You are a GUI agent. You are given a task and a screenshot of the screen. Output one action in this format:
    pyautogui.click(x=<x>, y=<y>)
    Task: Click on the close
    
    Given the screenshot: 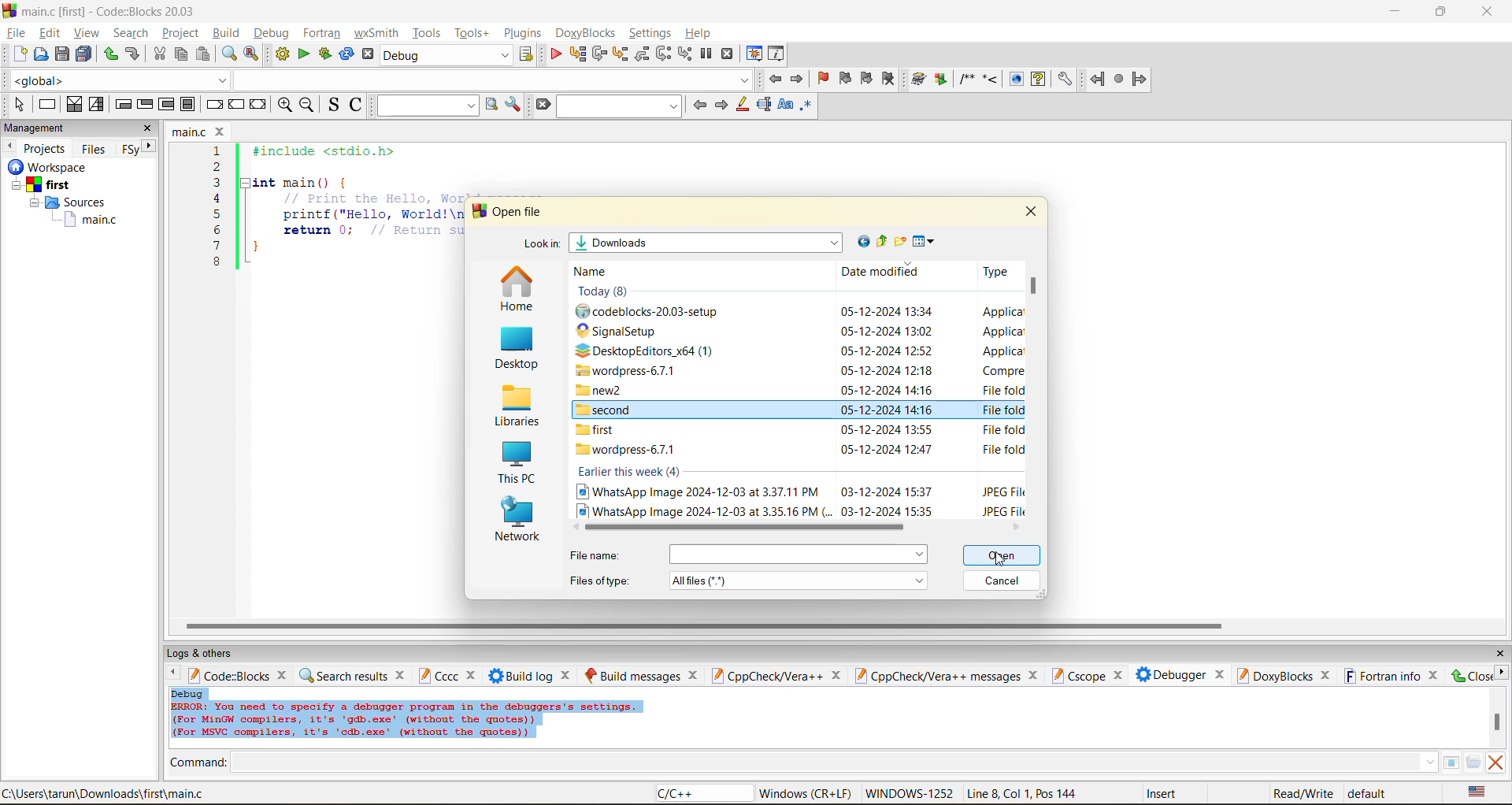 What is the action you would take?
    pyautogui.click(x=1117, y=676)
    